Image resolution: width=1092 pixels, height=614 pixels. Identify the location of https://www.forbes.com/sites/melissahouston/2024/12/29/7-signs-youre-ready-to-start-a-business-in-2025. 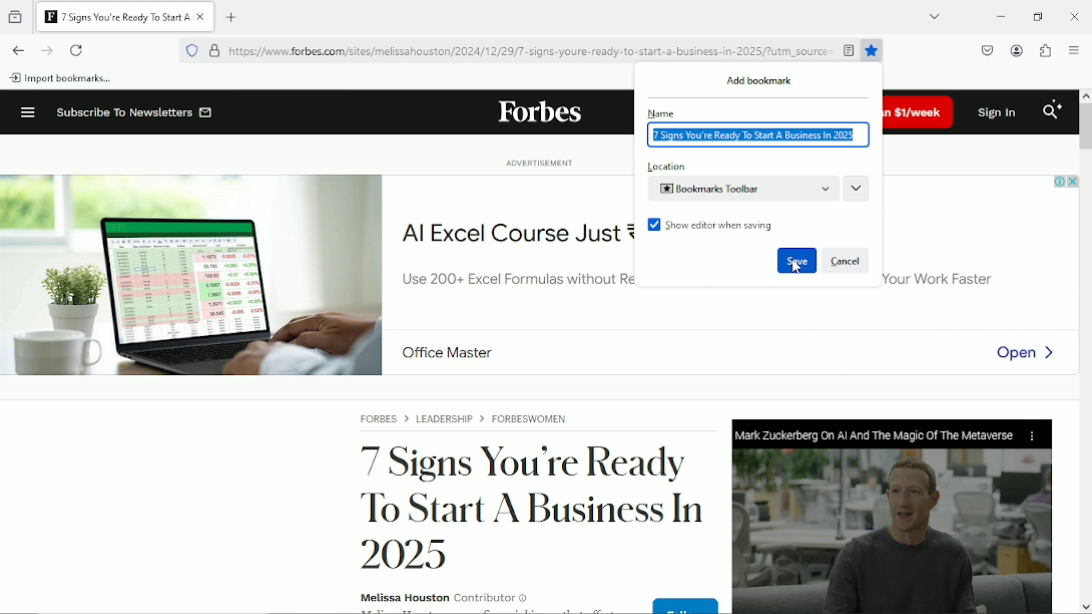
(517, 54).